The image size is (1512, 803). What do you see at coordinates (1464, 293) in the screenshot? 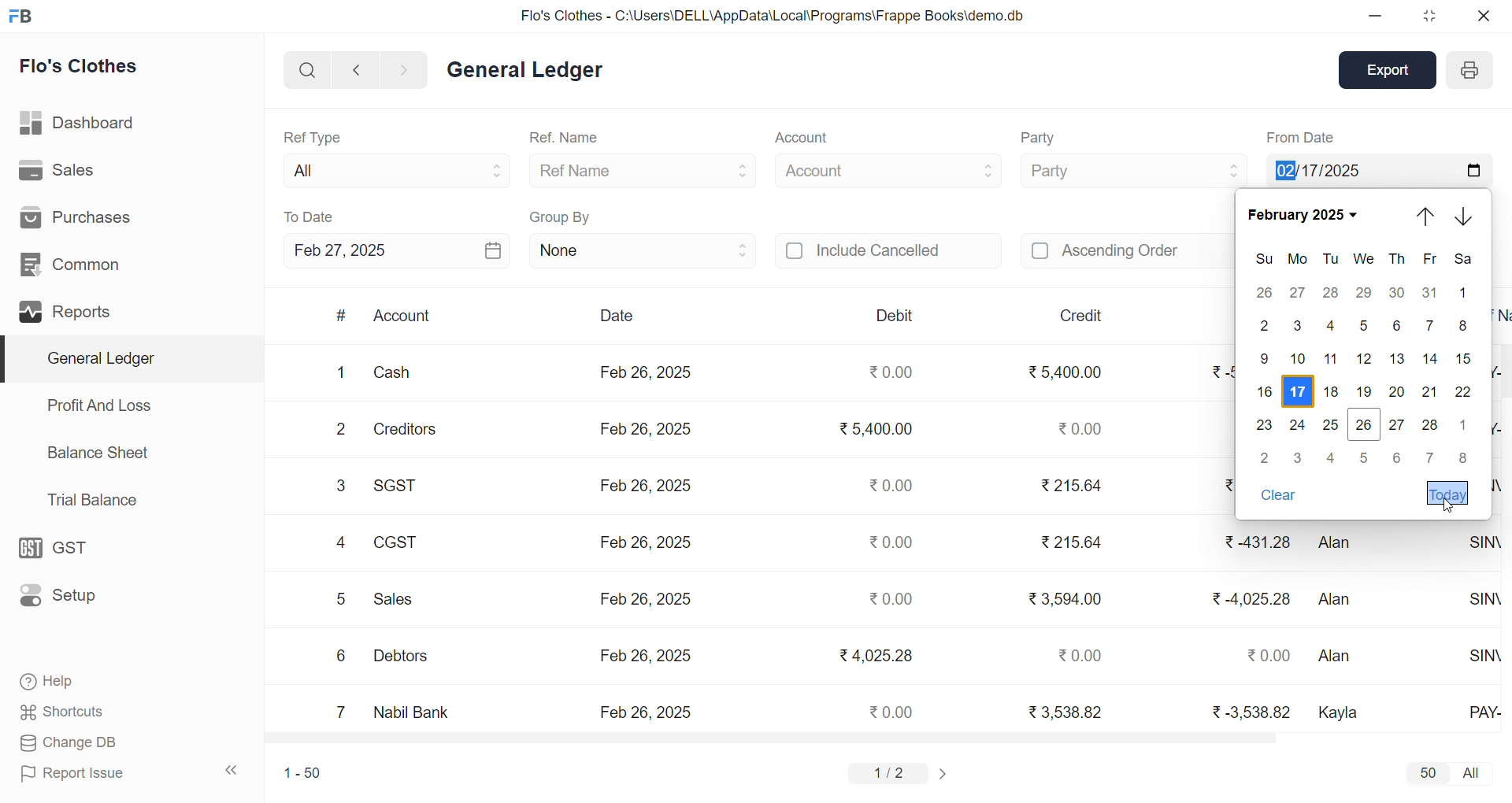
I see `1` at bounding box center [1464, 293].